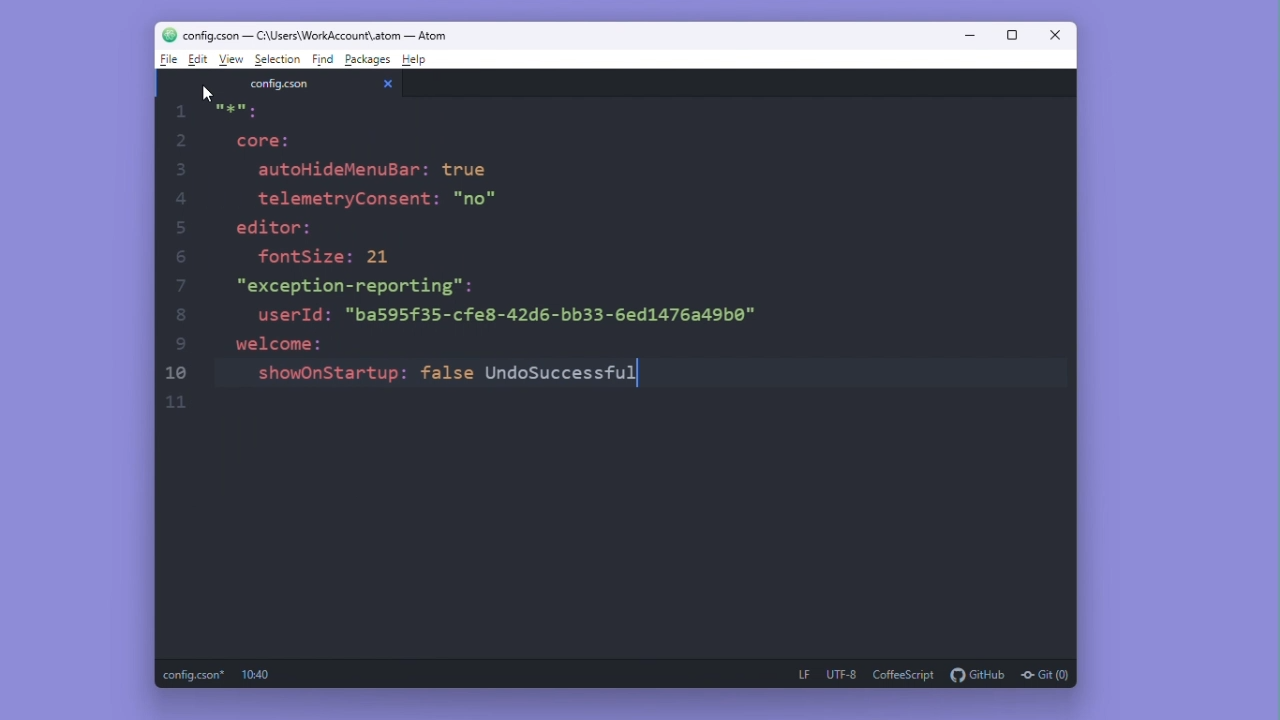 This screenshot has width=1280, height=720. Describe the element at coordinates (797, 672) in the screenshot. I see `LF` at that location.